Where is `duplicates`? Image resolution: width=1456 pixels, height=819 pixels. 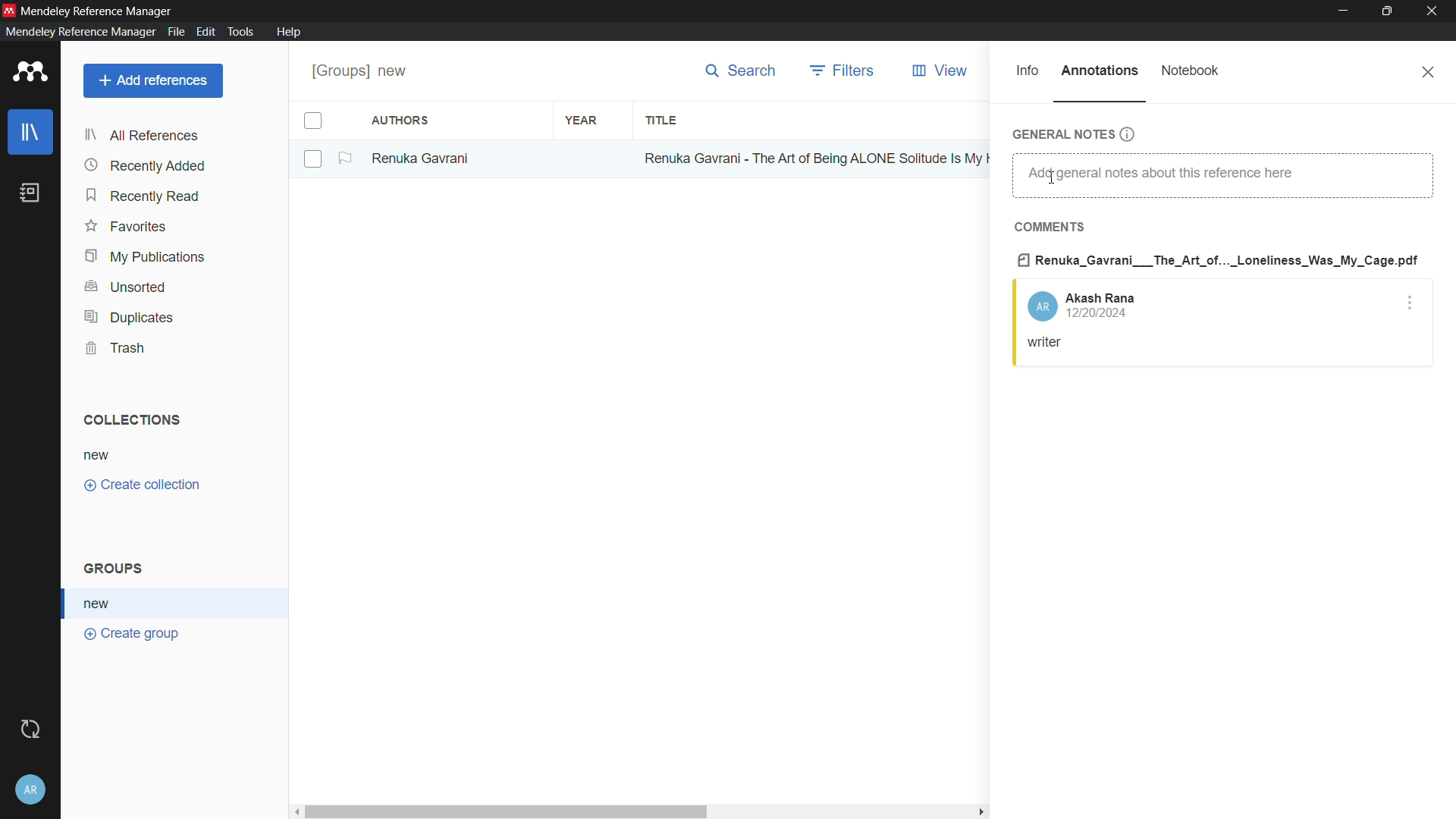
duplicates is located at coordinates (128, 318).